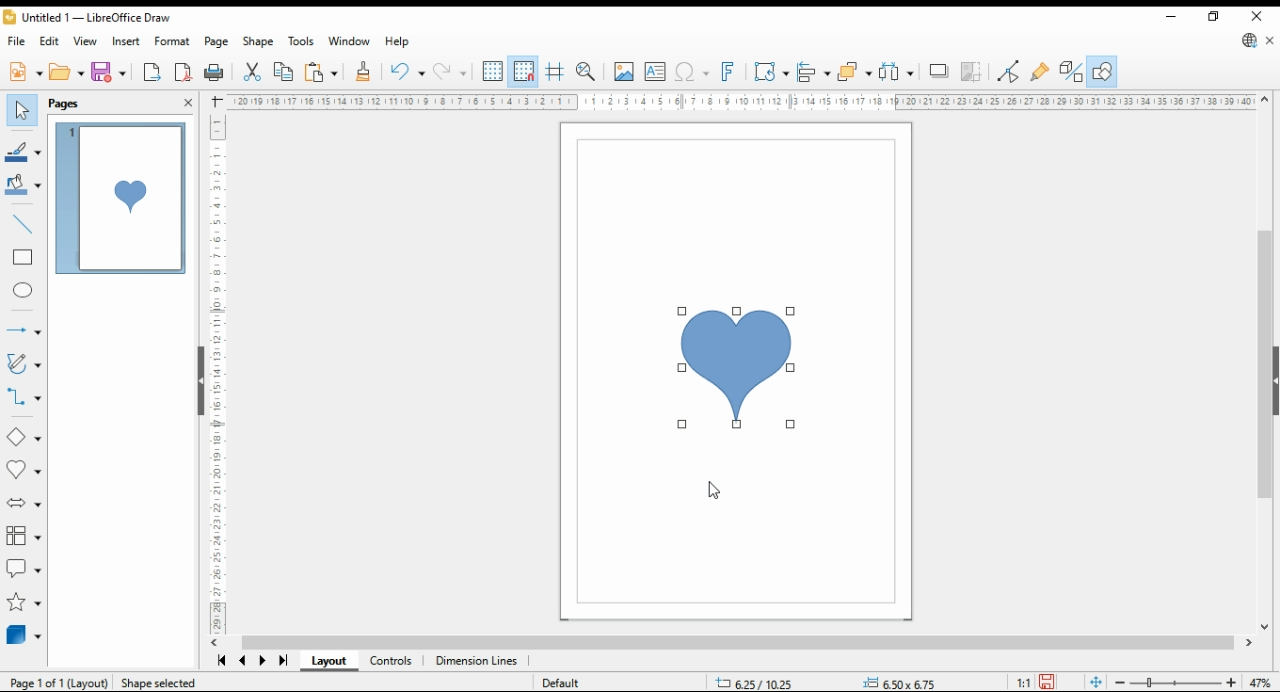 The width and height of the screenshot is (1280, 692). Describe the element at coordinates (252, 72) in the screenshot. I see `cut` at that location.